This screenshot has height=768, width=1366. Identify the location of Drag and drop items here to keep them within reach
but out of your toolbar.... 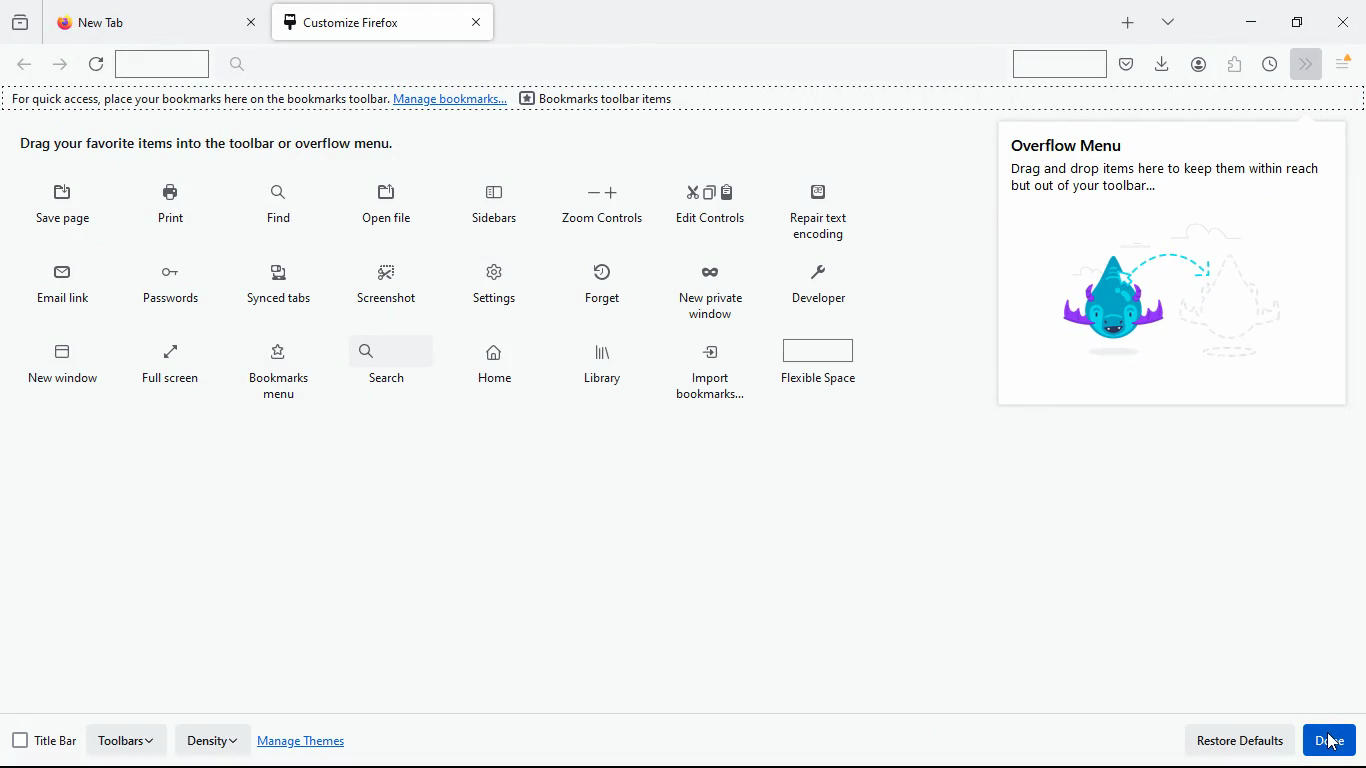
(1169, 178).